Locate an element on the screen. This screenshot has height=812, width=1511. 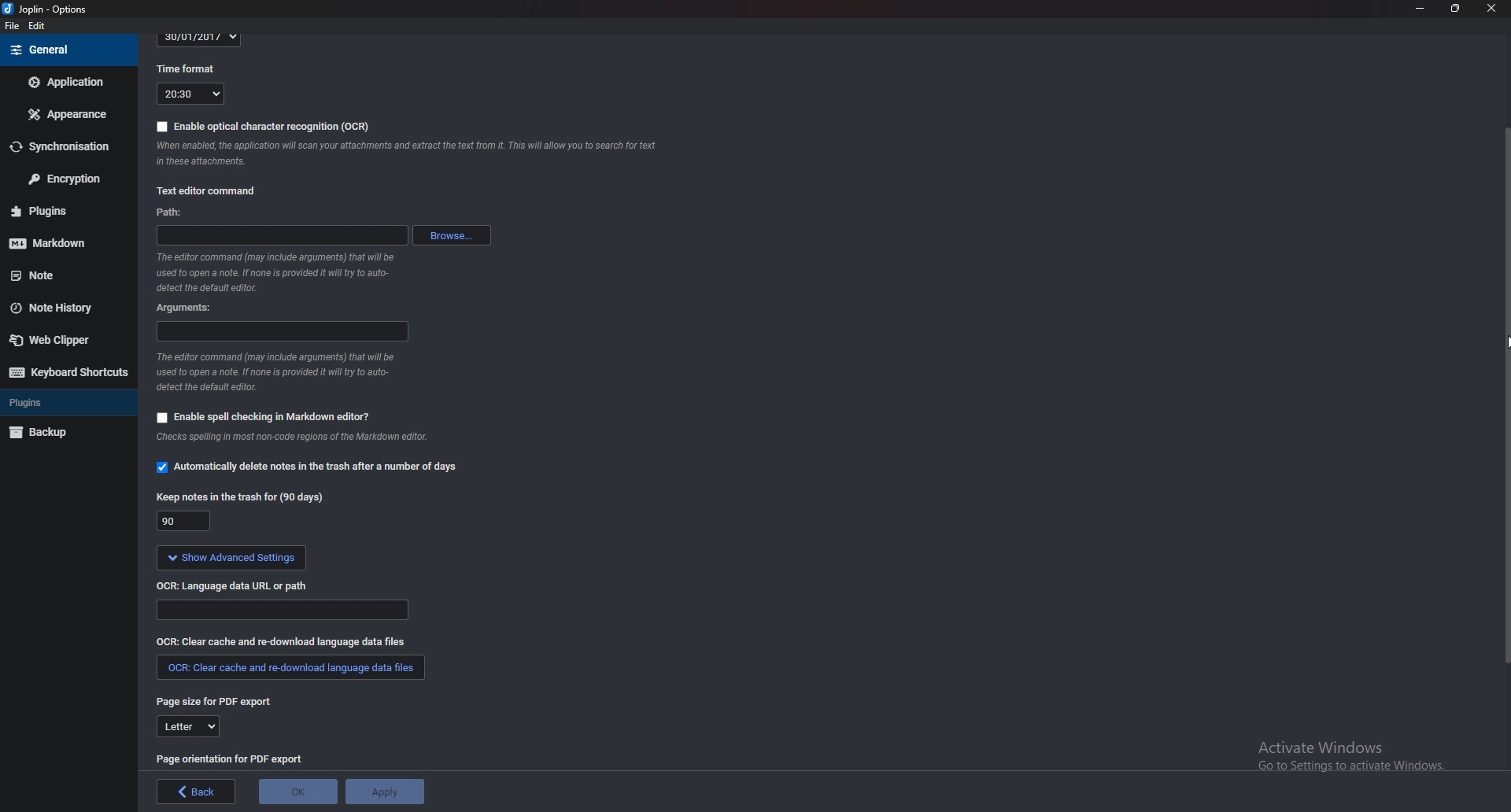
Arguments is located at coordinates (191, 307).